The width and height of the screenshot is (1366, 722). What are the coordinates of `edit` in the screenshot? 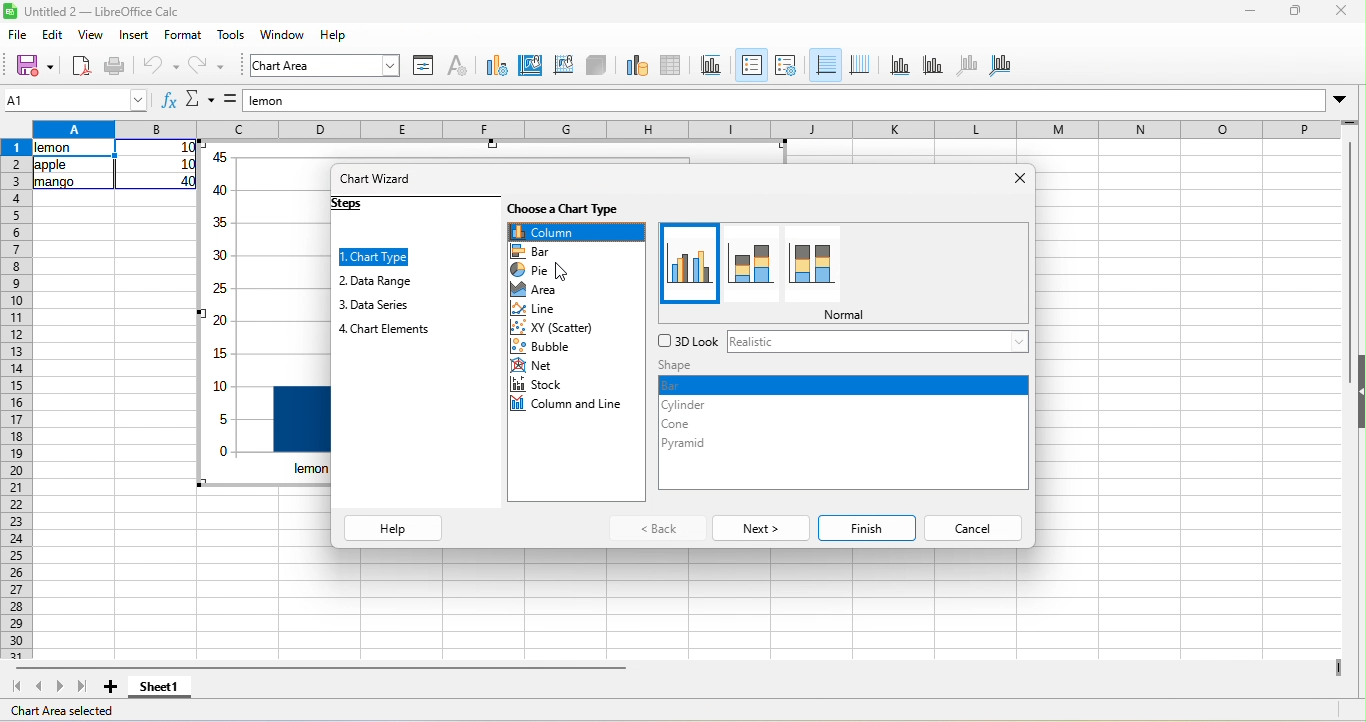 It's located at (52, 37).